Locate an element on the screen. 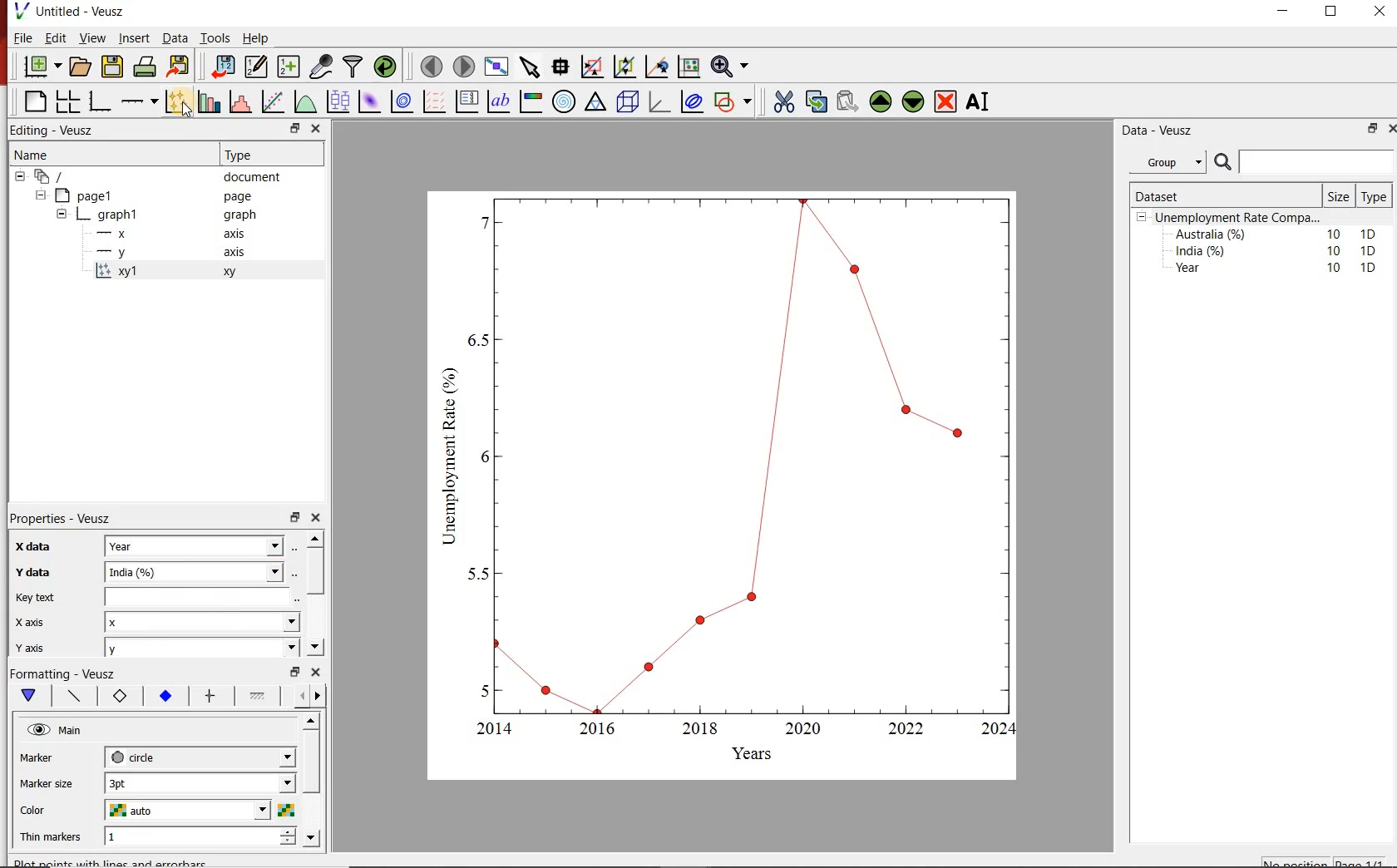 This screenshot has width=1397, height=868. collpase is located at coordinates (1142, 218).